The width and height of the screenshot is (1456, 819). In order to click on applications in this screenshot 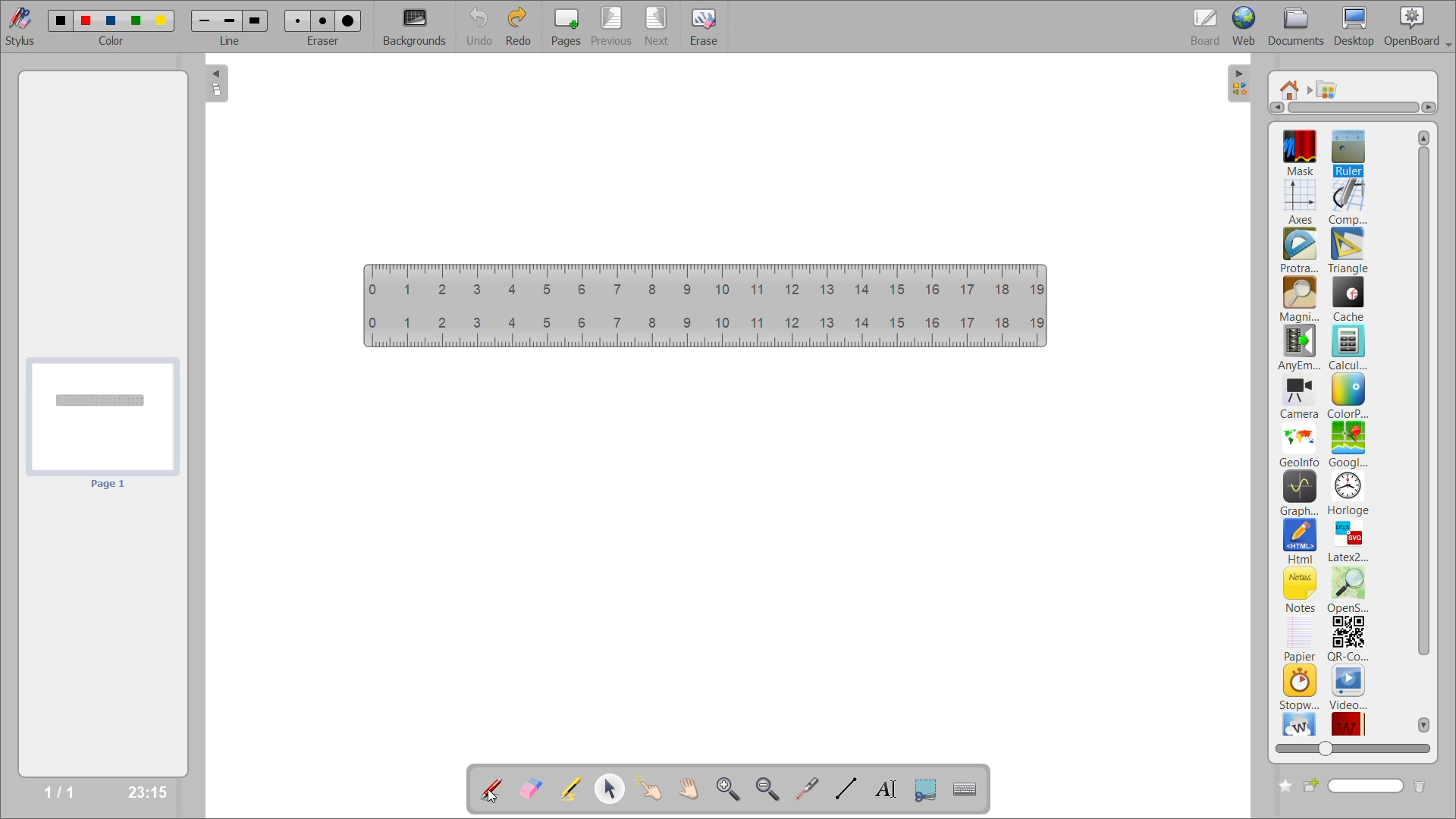, I will do `click(1332, 89)`.